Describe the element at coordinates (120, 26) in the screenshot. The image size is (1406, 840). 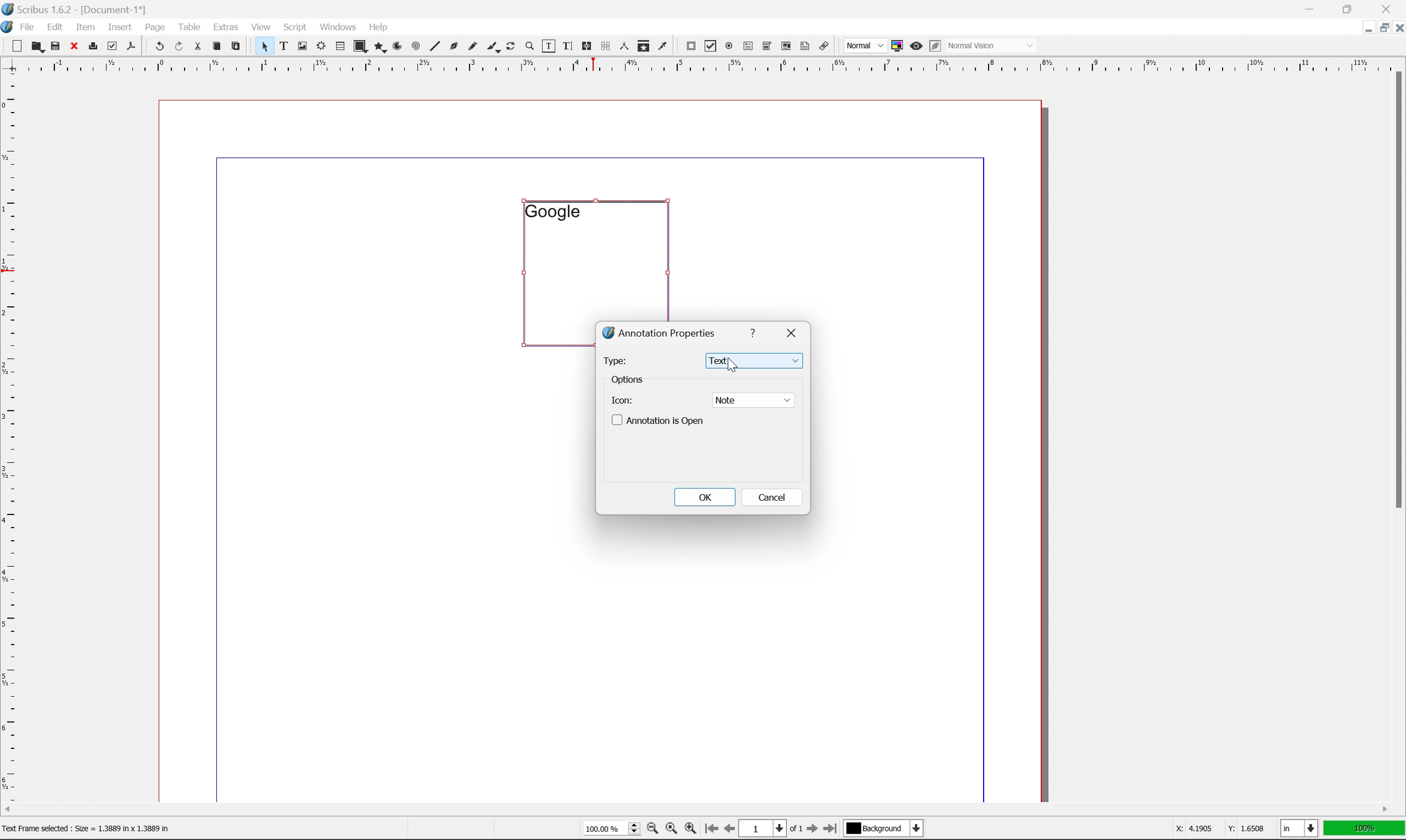
I see `insert` at that location.